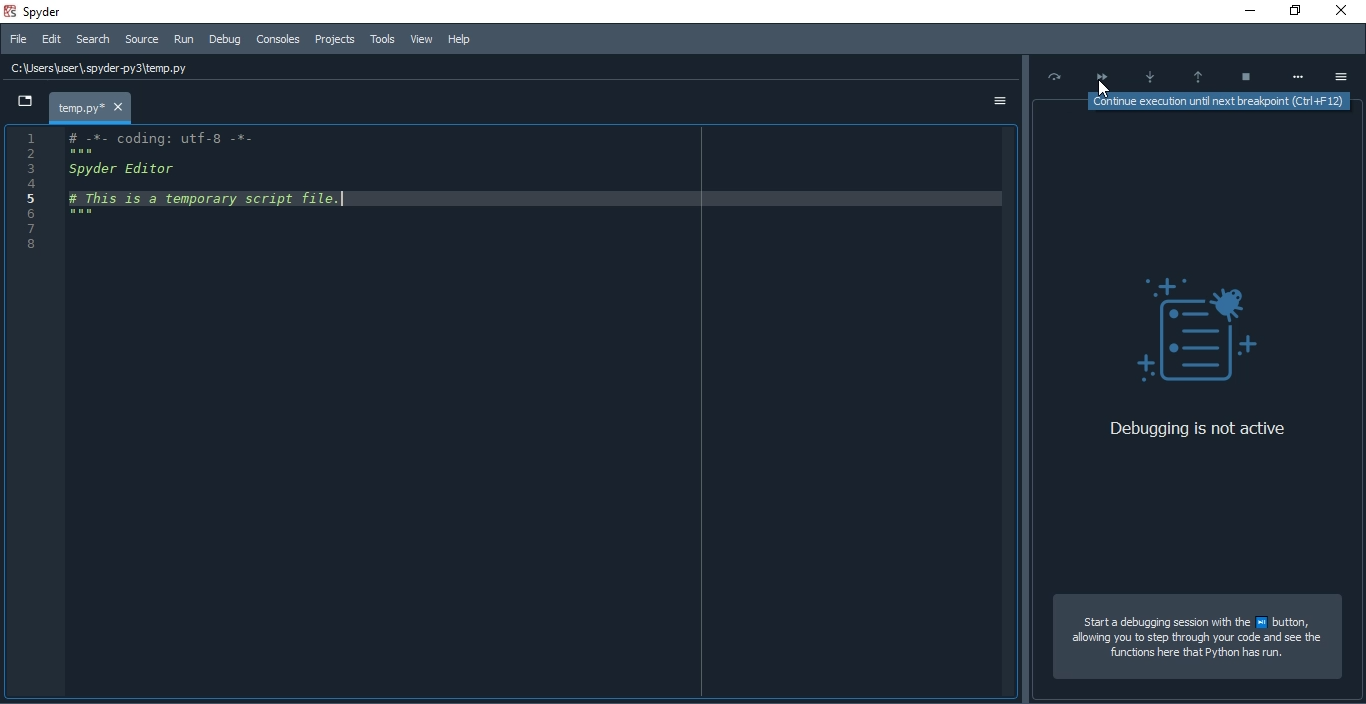 The width and height of the screenshot is (1366, 704). What do you see at coordinates (1190, 642) in the screenshot?
I see `Start a debugging session with the # button,
allowing you to step through your code and see the
functions here that Python has run,` at bounding box center [1190, 642].